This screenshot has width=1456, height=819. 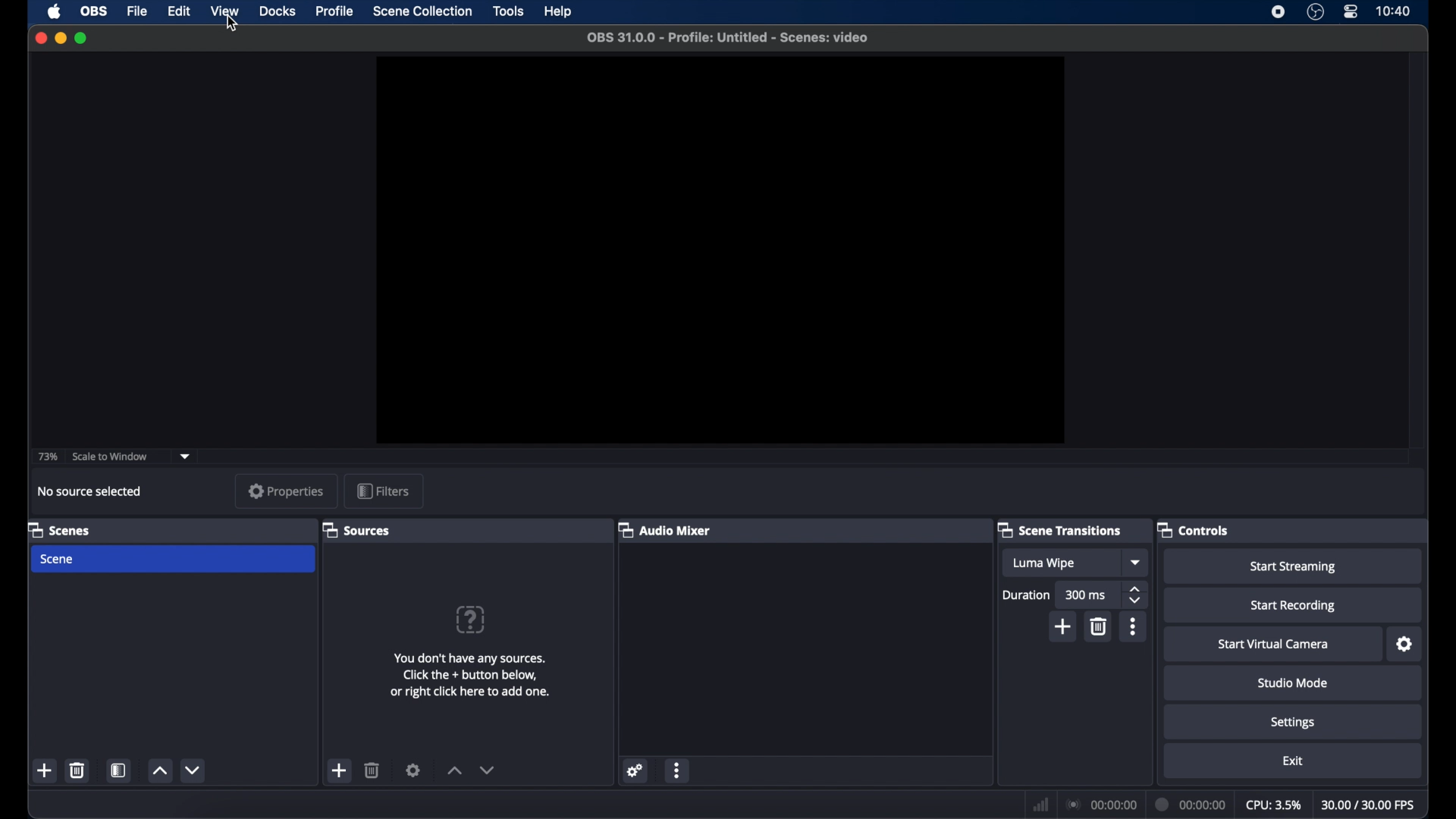 What do you see at coordinates (1293, 565) in the screenshot?
I see `start streaming` at bounding box center [1293, 565].